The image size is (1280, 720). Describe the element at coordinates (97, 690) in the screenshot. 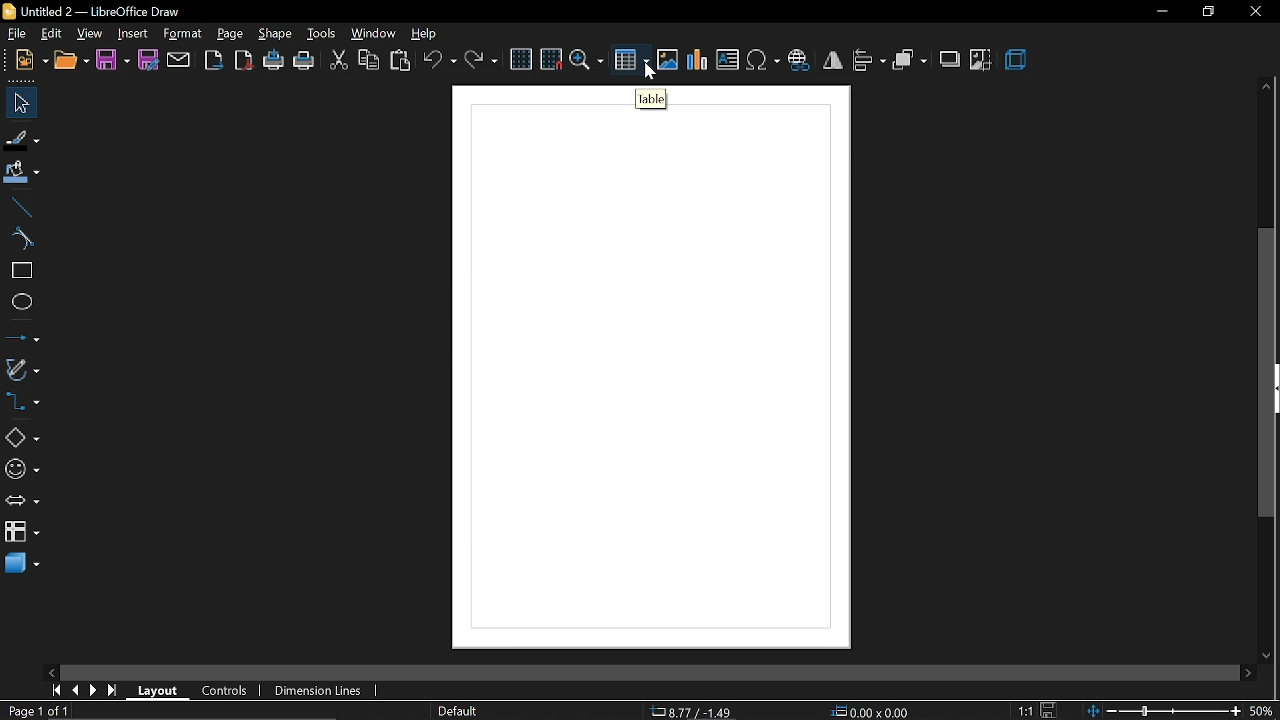

I see `next page` at that location.